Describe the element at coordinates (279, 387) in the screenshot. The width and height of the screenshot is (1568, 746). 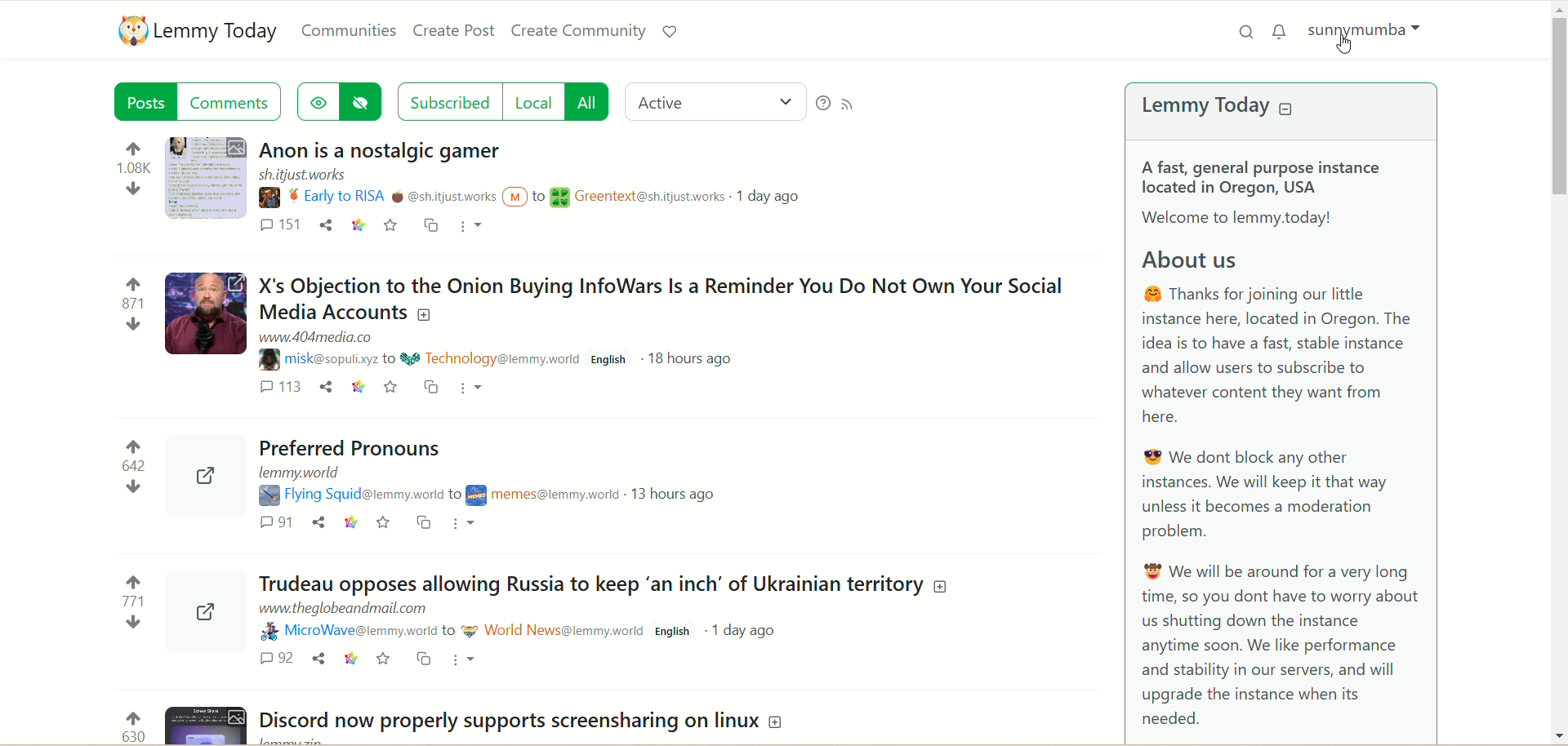
I see `Comments` at that location.